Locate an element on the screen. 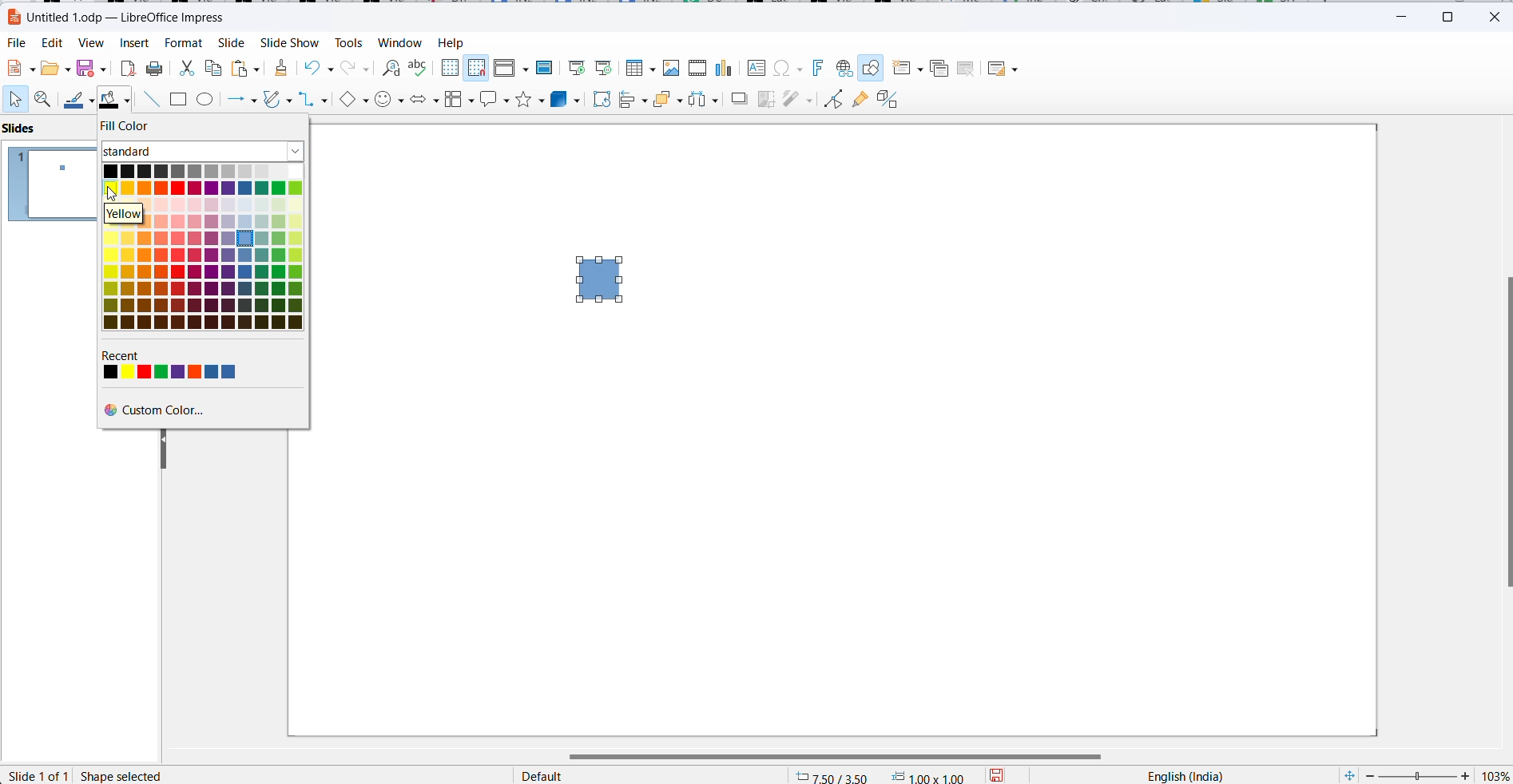 Image resolution: width=1513 pixels, height=784 pixels. scroll bar  is located at coordinates (845, 756).